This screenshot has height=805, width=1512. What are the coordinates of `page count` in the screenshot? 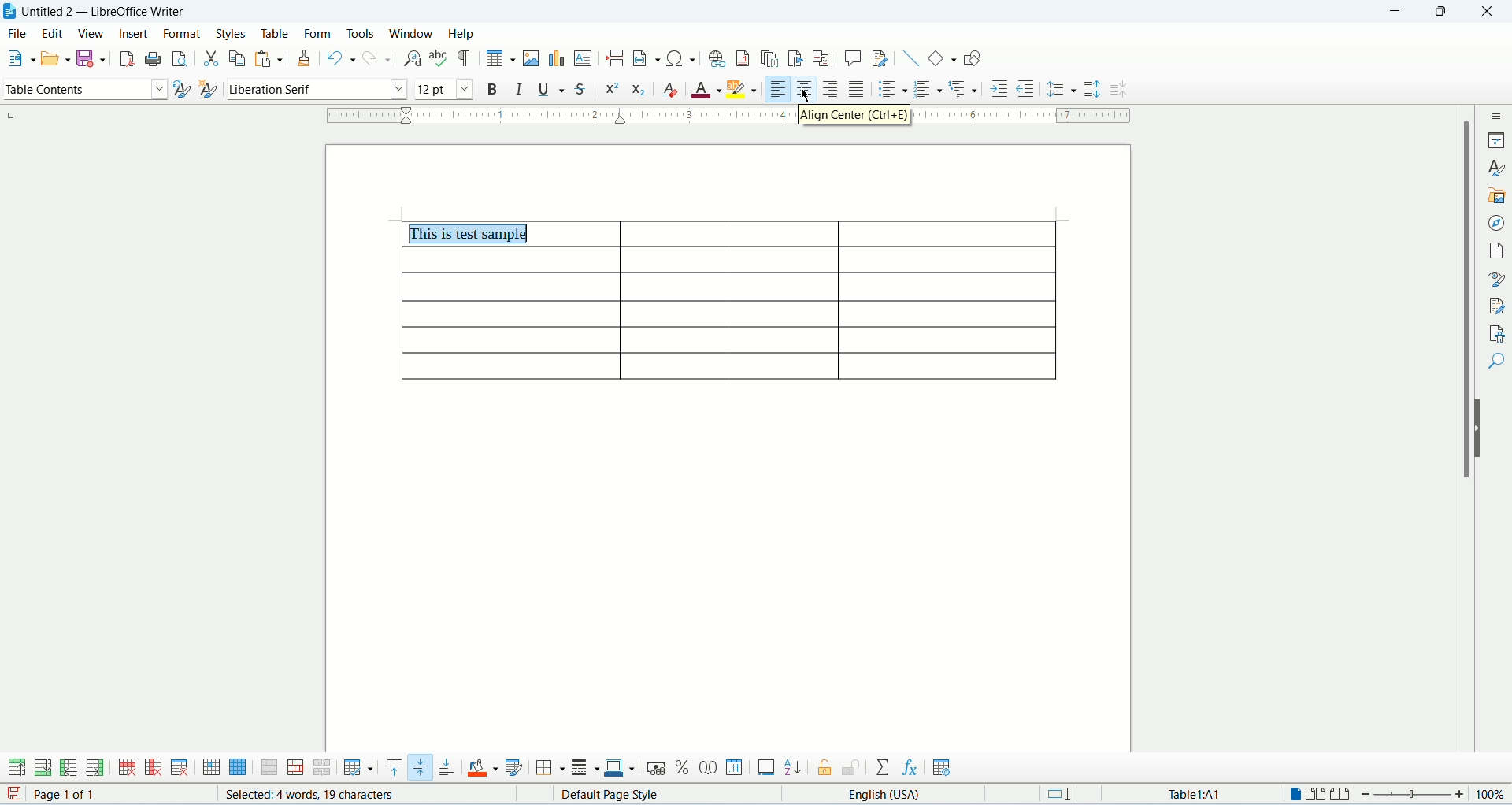 It's located at (93, 795).